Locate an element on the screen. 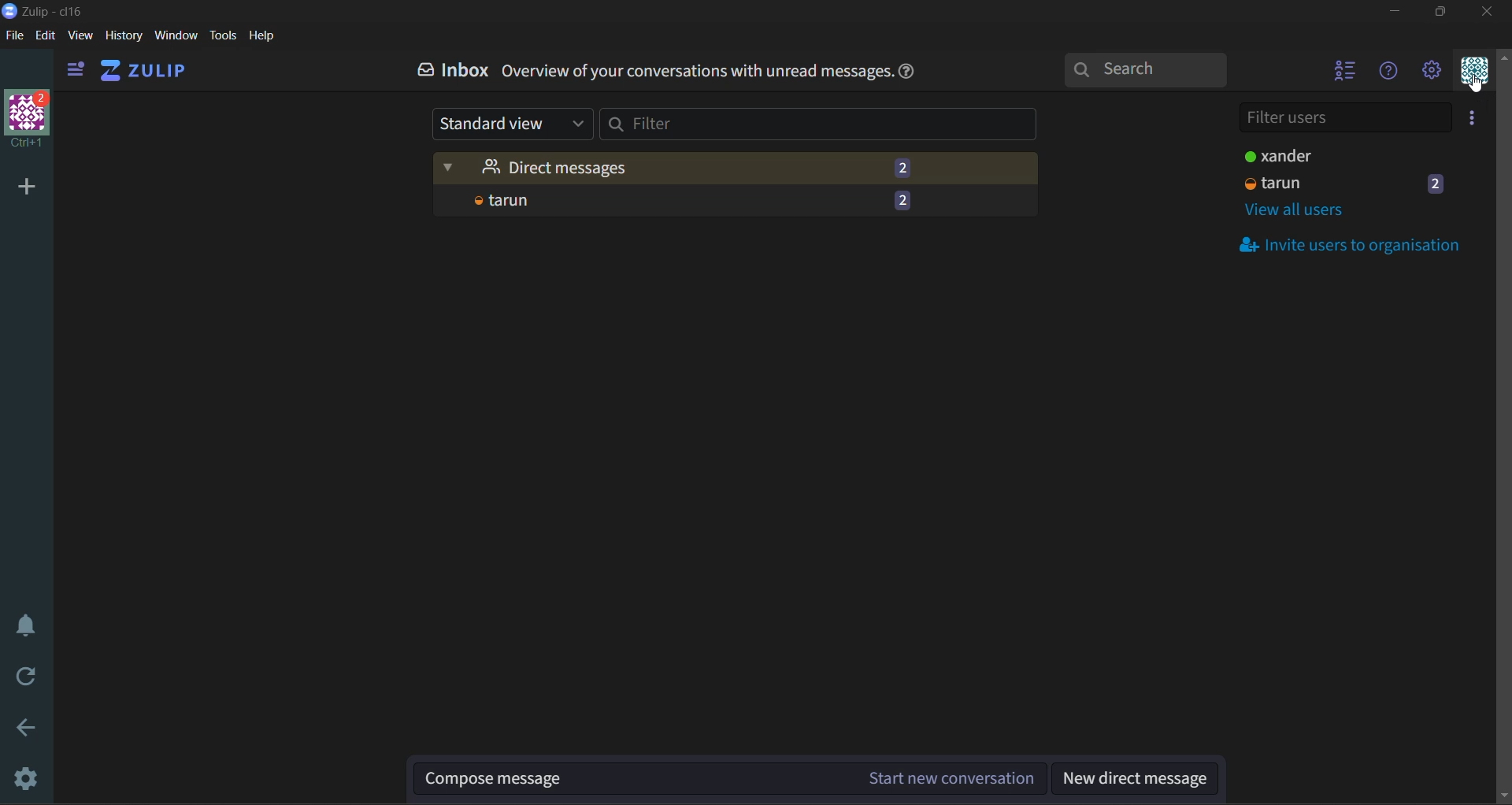 Image resolution: width=1512 pixels, height=805 pixels. add a new organisation is located at coordinates (25, 184).